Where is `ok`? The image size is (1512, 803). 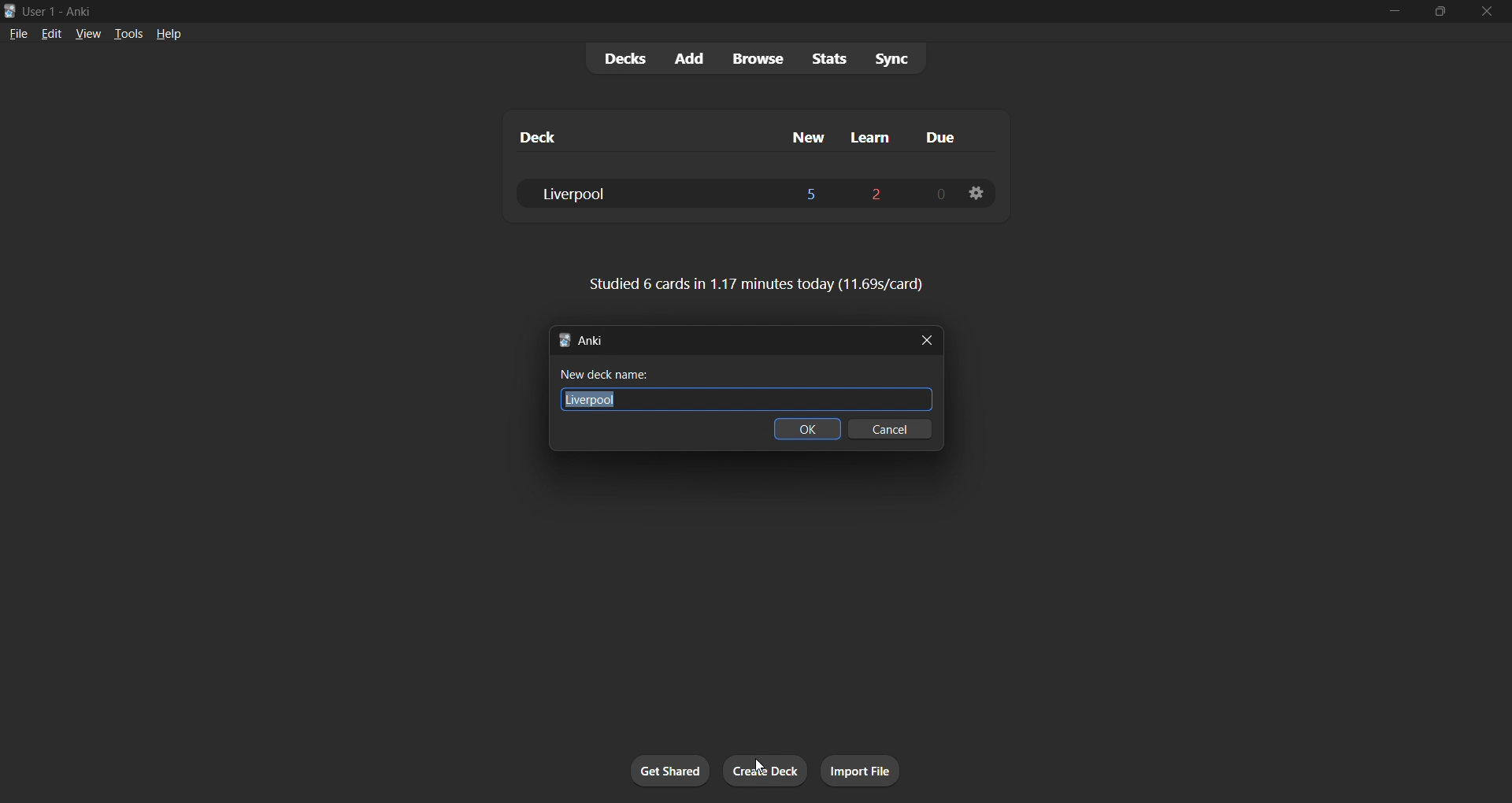 ok is located at coordinates (805, 428).